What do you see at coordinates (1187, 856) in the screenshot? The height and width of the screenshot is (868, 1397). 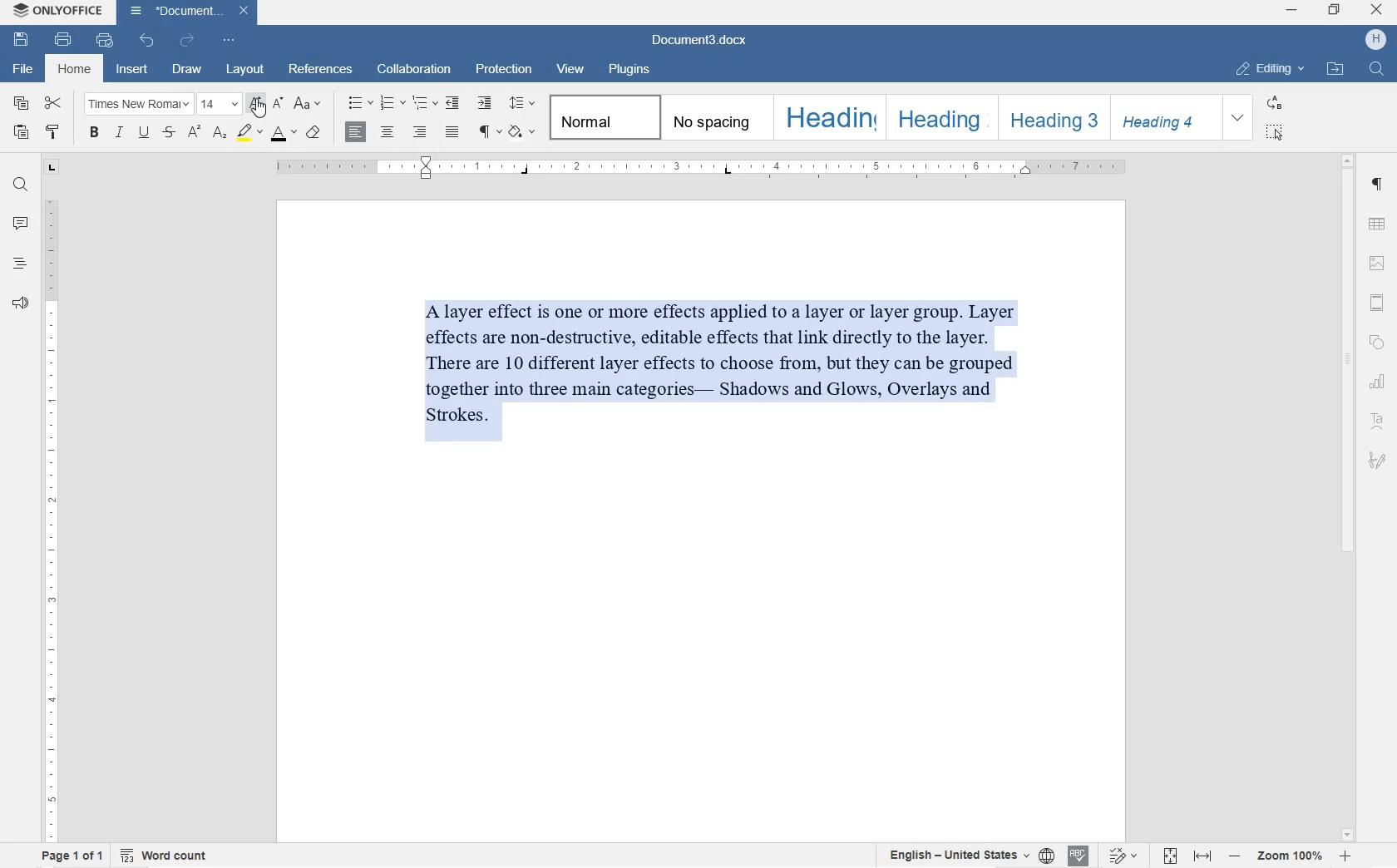 I see `fit to page or width` at bounding box center [1187, 856].